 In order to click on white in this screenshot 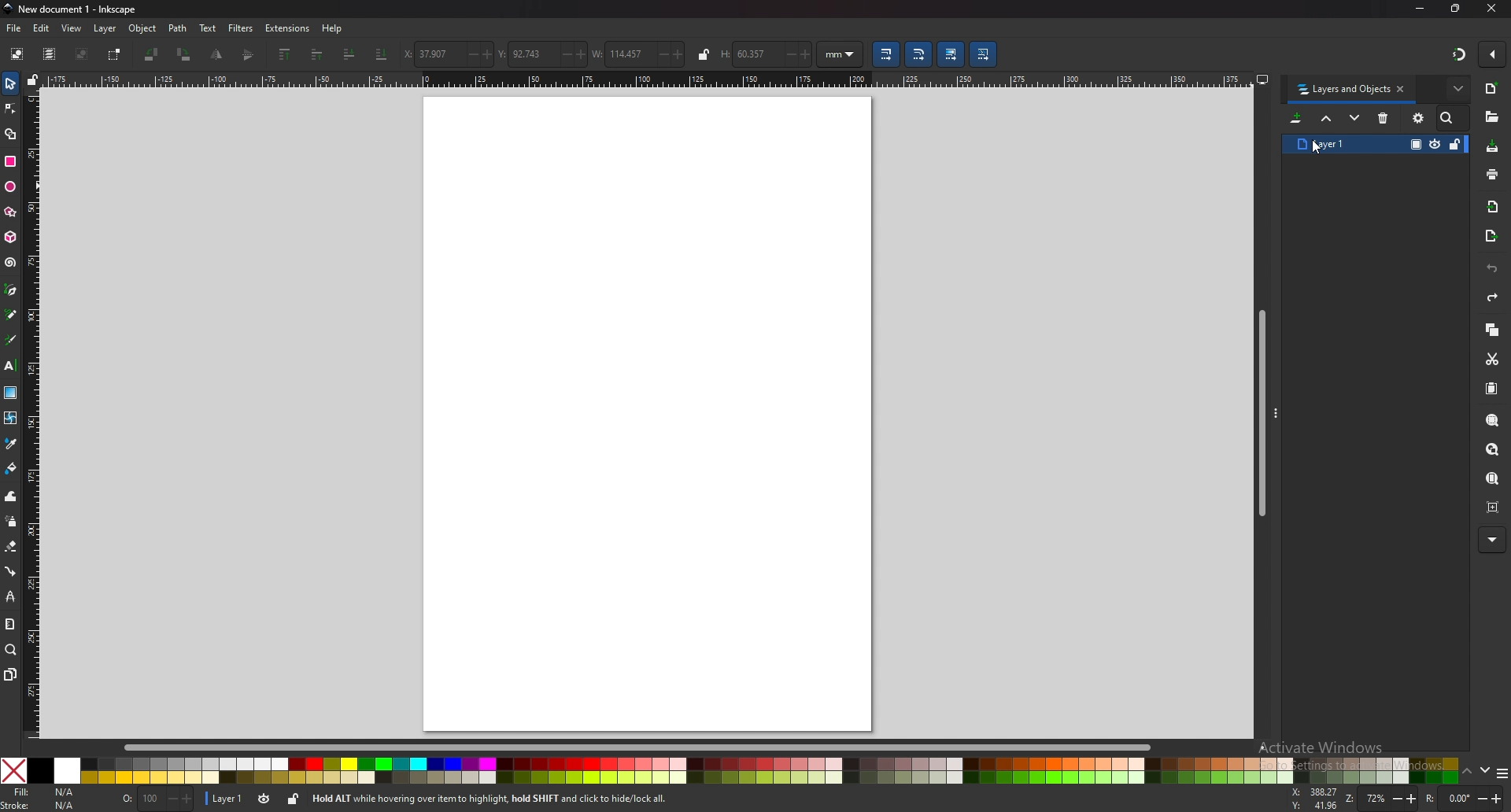, I will do `click(68, 771)`.